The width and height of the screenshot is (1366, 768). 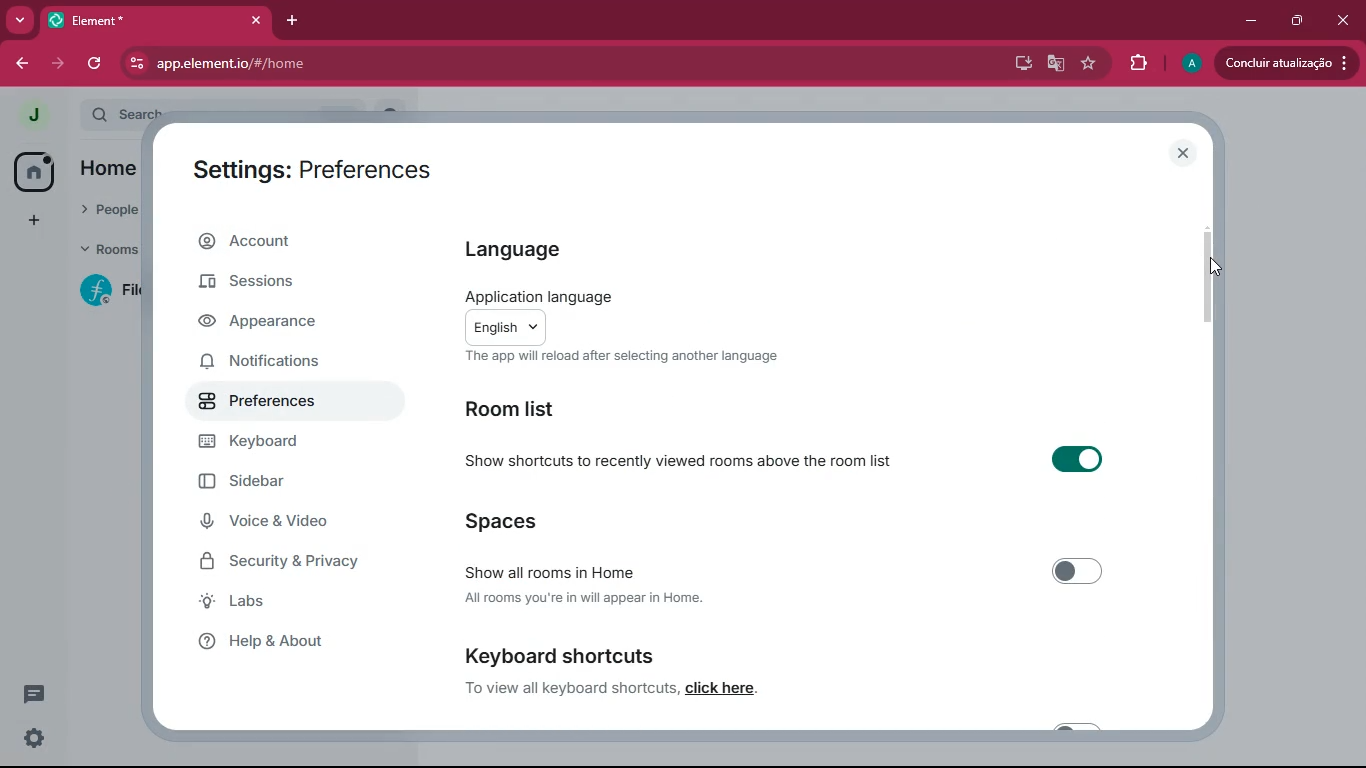 I want to click on more, so click(x=20, y=21).